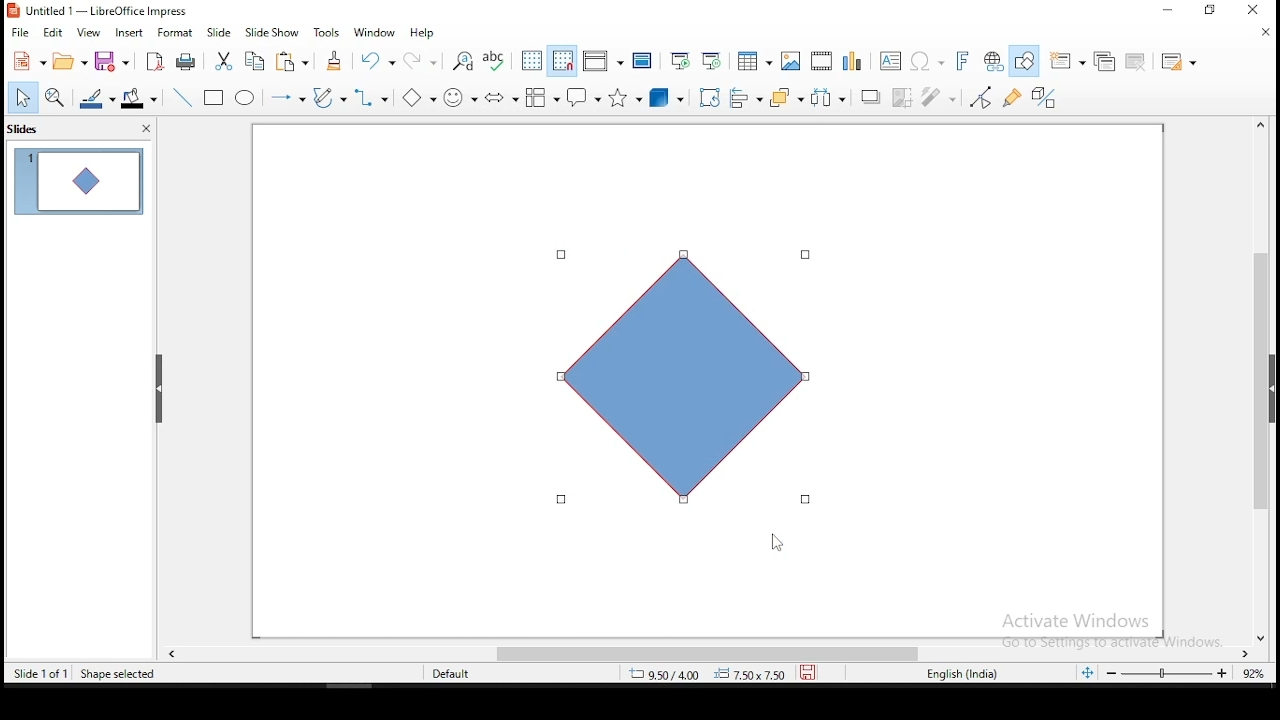 This screenshot has height=720, width=1280. Describe the element at coordinates (247, 100) in the screenshot. I see `ellipse` at that location.